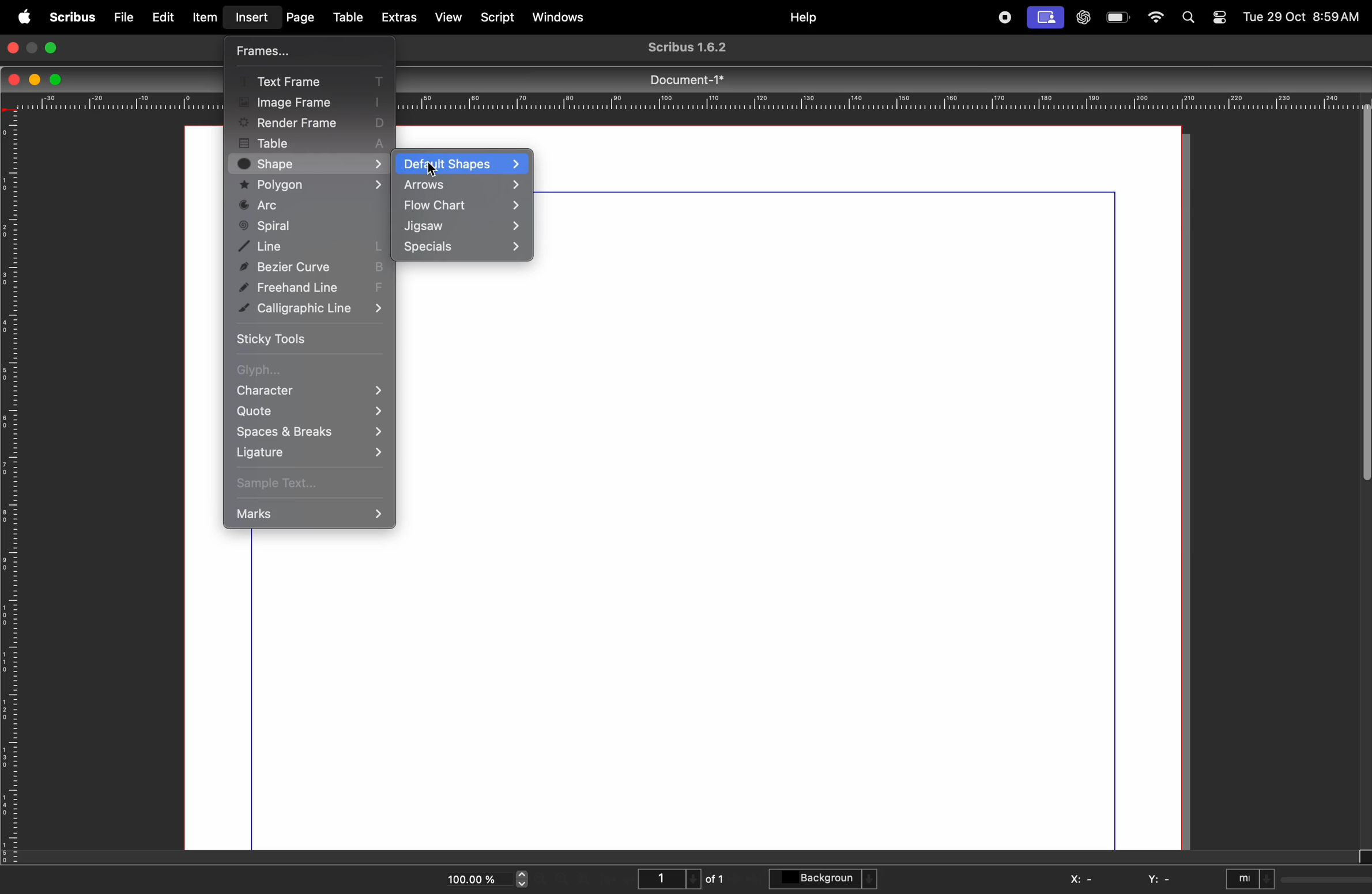  Describe the element at coordinates (305, 371) in the screenshot. I see `glyph...` at that location.